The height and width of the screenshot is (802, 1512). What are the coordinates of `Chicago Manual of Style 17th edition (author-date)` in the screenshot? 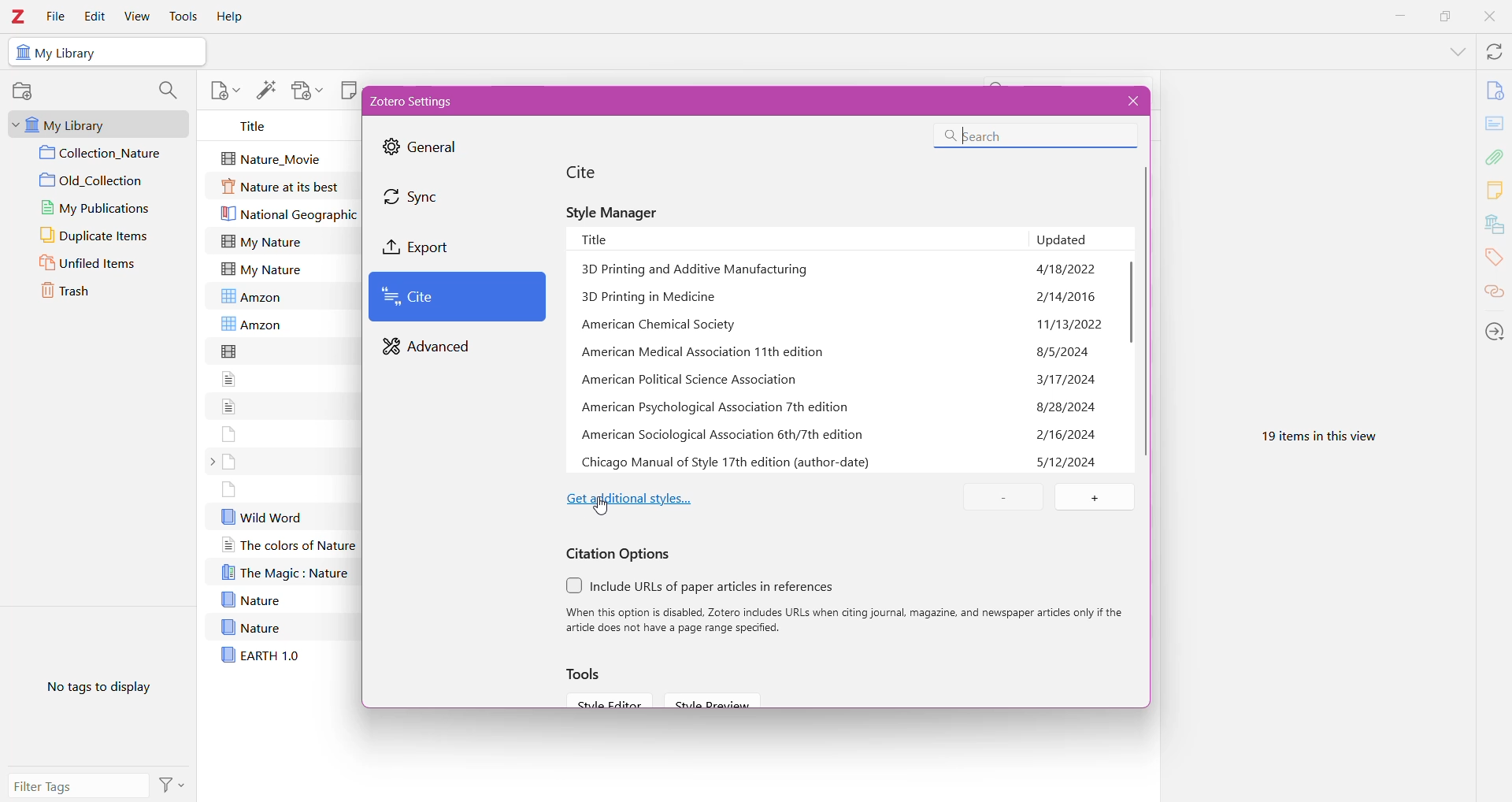 It's located at (727, 462).